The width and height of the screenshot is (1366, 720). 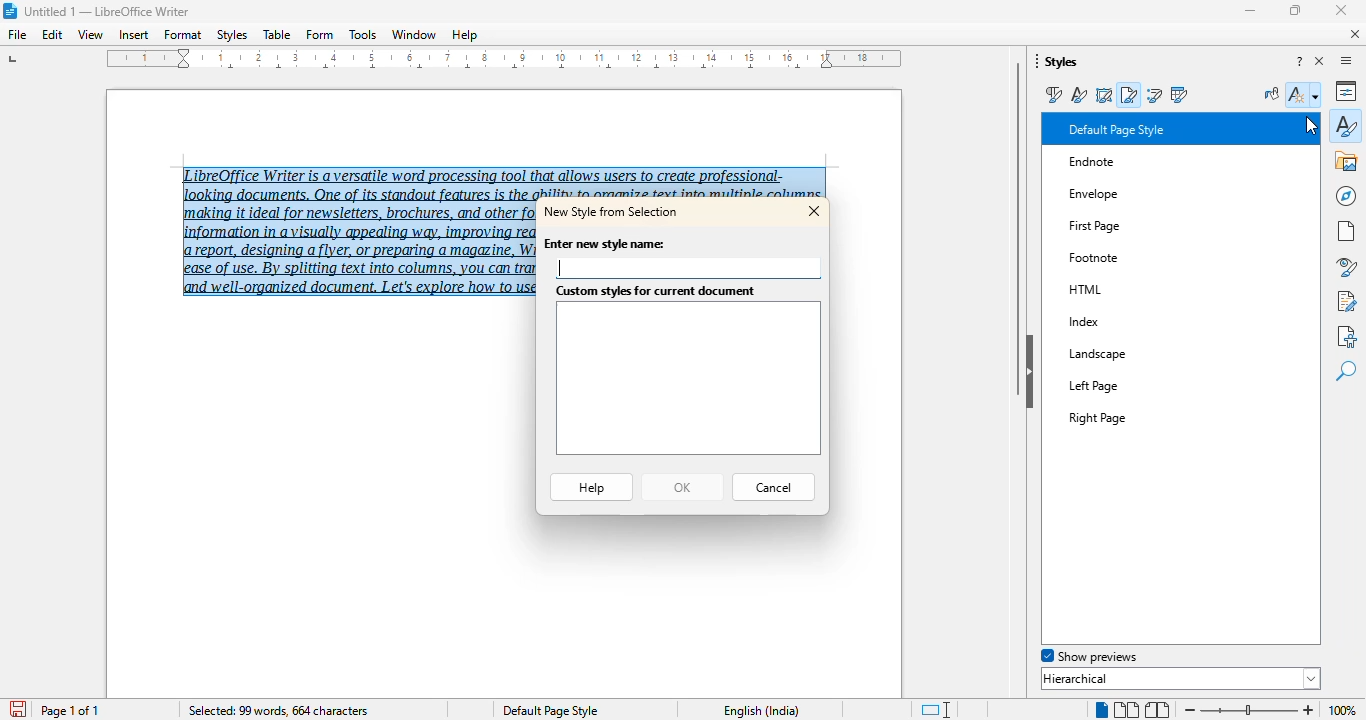 I want to click on sidebar settings, so click(x=1346, y=61).